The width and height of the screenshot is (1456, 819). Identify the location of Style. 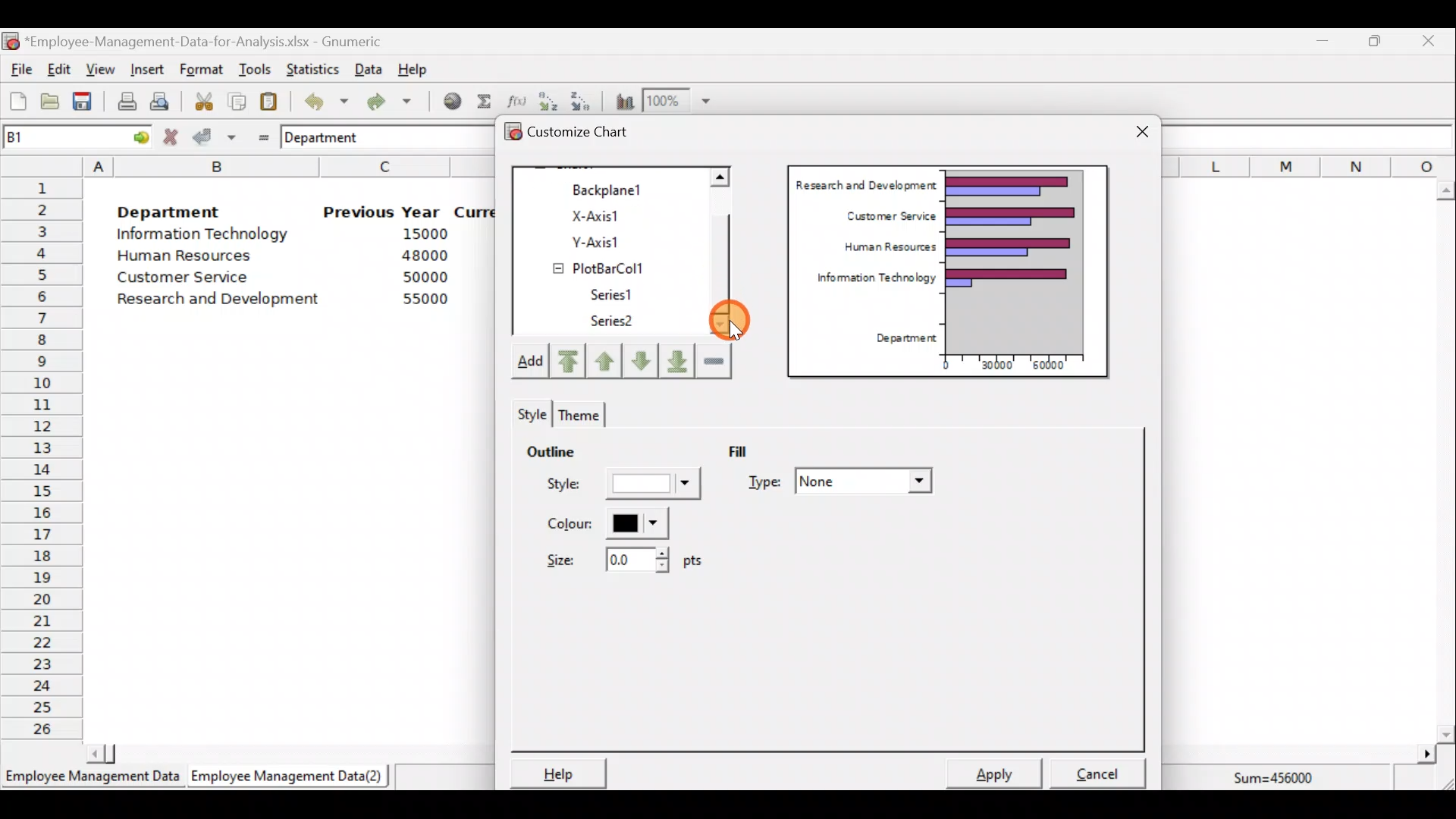
(529, 411).